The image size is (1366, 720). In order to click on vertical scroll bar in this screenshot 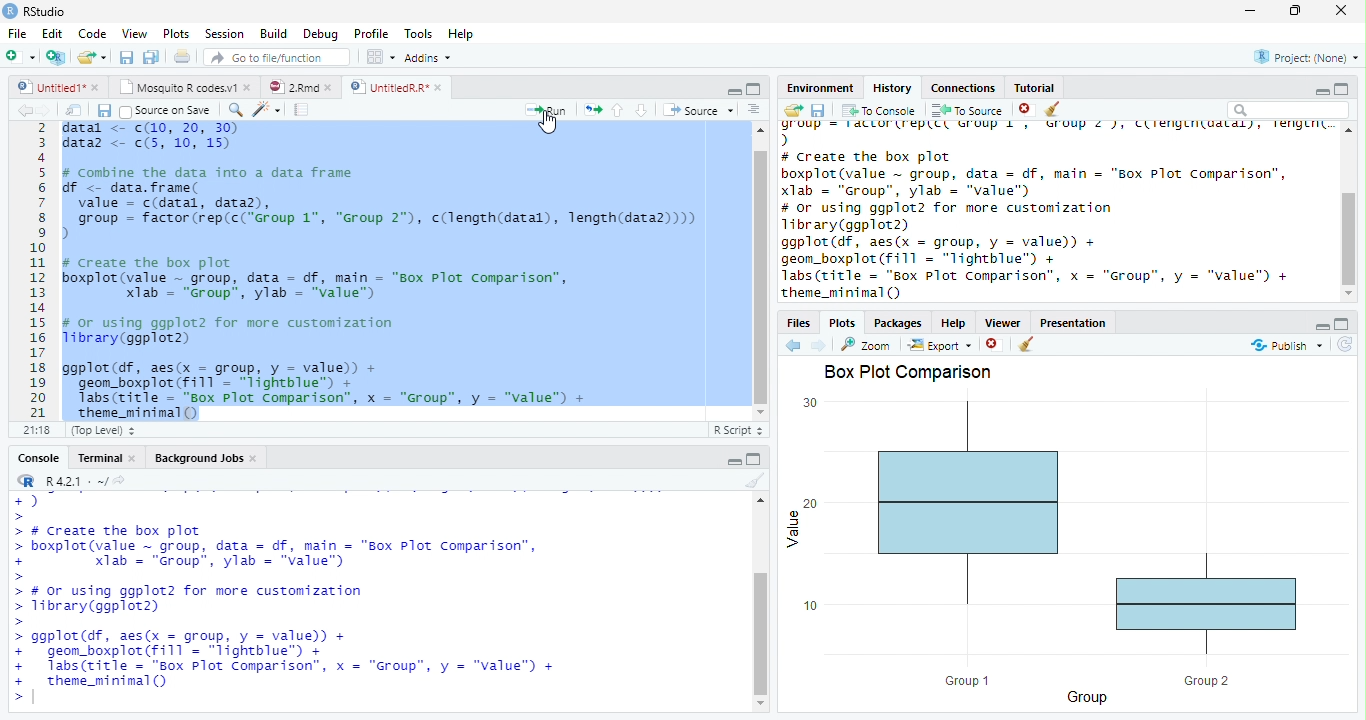, I will do `click(761, 271)`.